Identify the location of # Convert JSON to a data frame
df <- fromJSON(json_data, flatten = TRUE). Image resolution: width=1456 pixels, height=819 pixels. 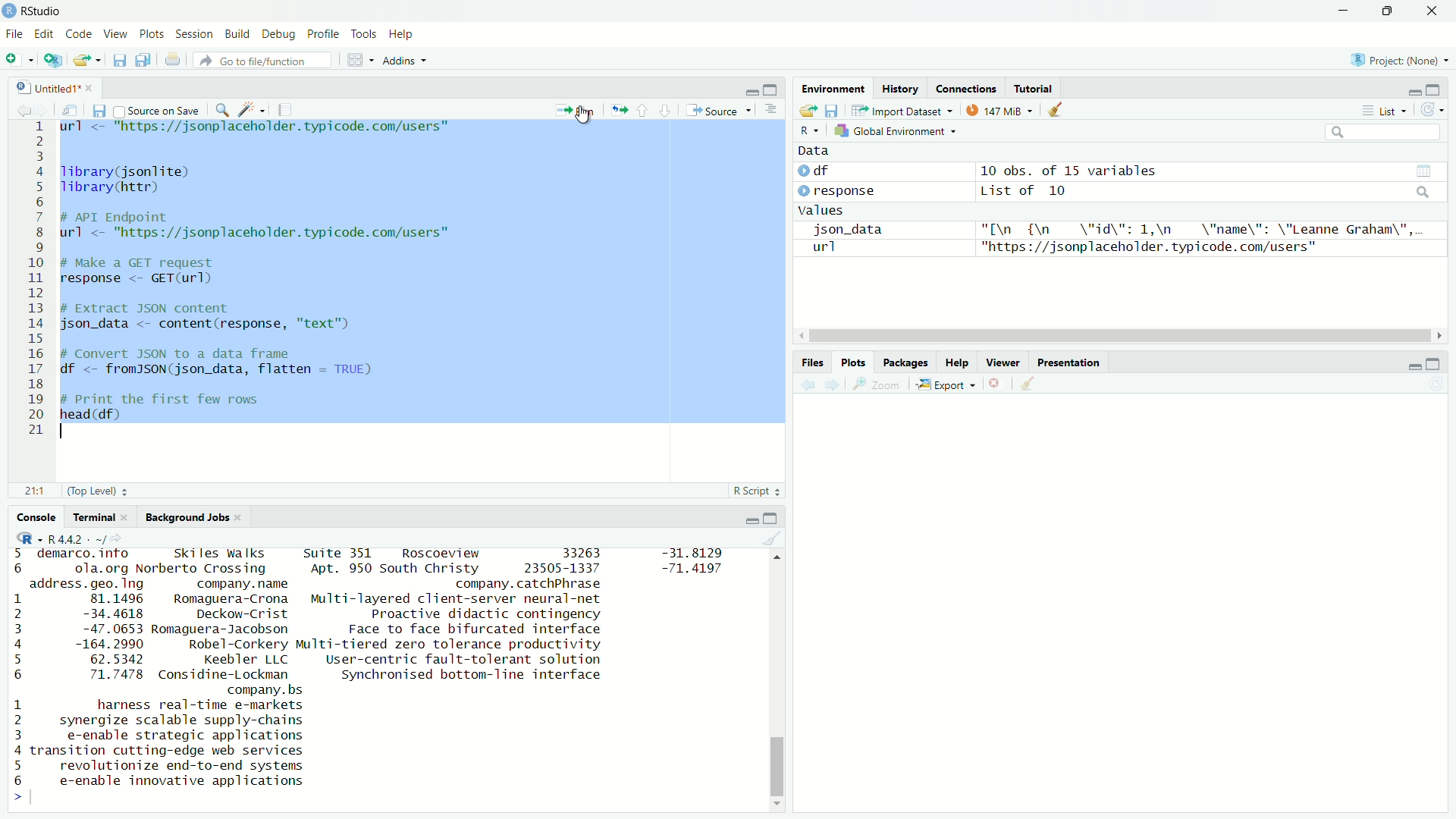
(220, 362).